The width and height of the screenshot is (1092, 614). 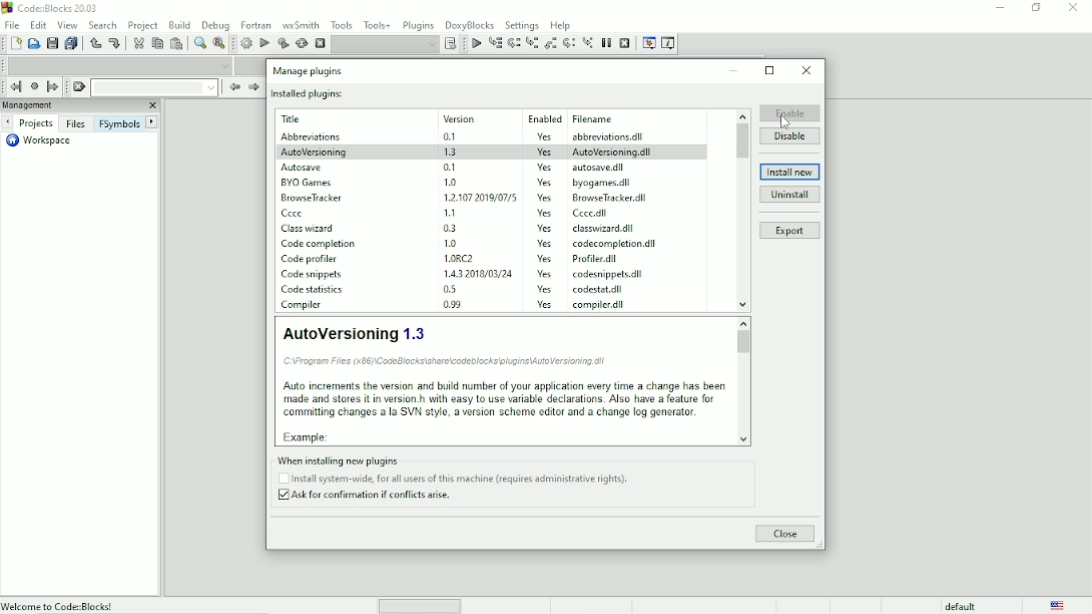 I want to click on Yes, so click(x=544, y=259).